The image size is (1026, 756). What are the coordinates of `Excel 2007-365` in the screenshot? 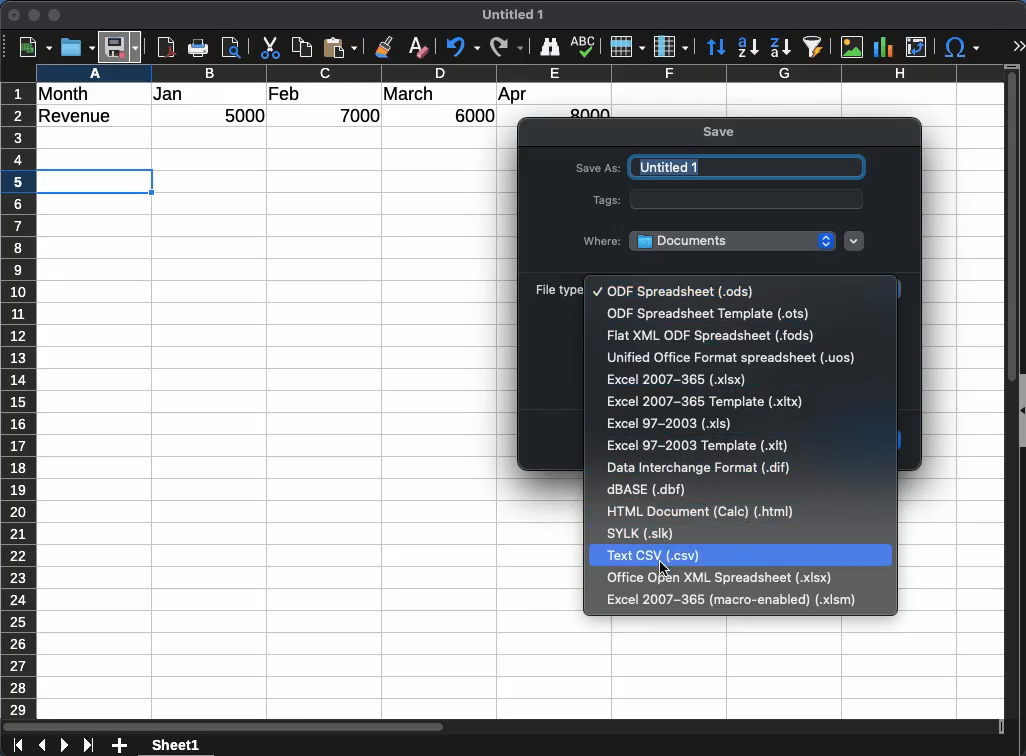 It's located at (732, 599).